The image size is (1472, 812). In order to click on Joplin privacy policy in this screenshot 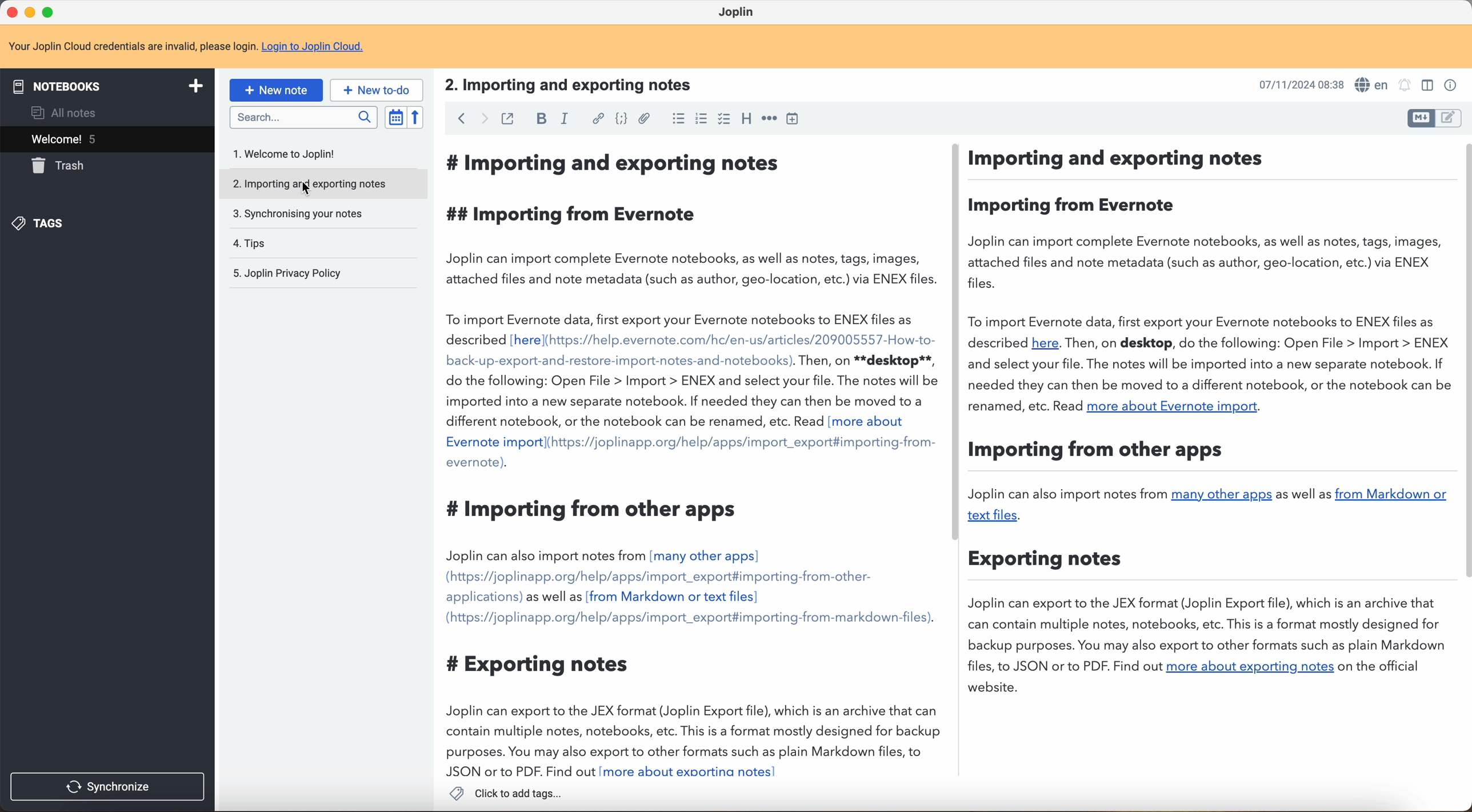, I will do `click(282, 273)`.